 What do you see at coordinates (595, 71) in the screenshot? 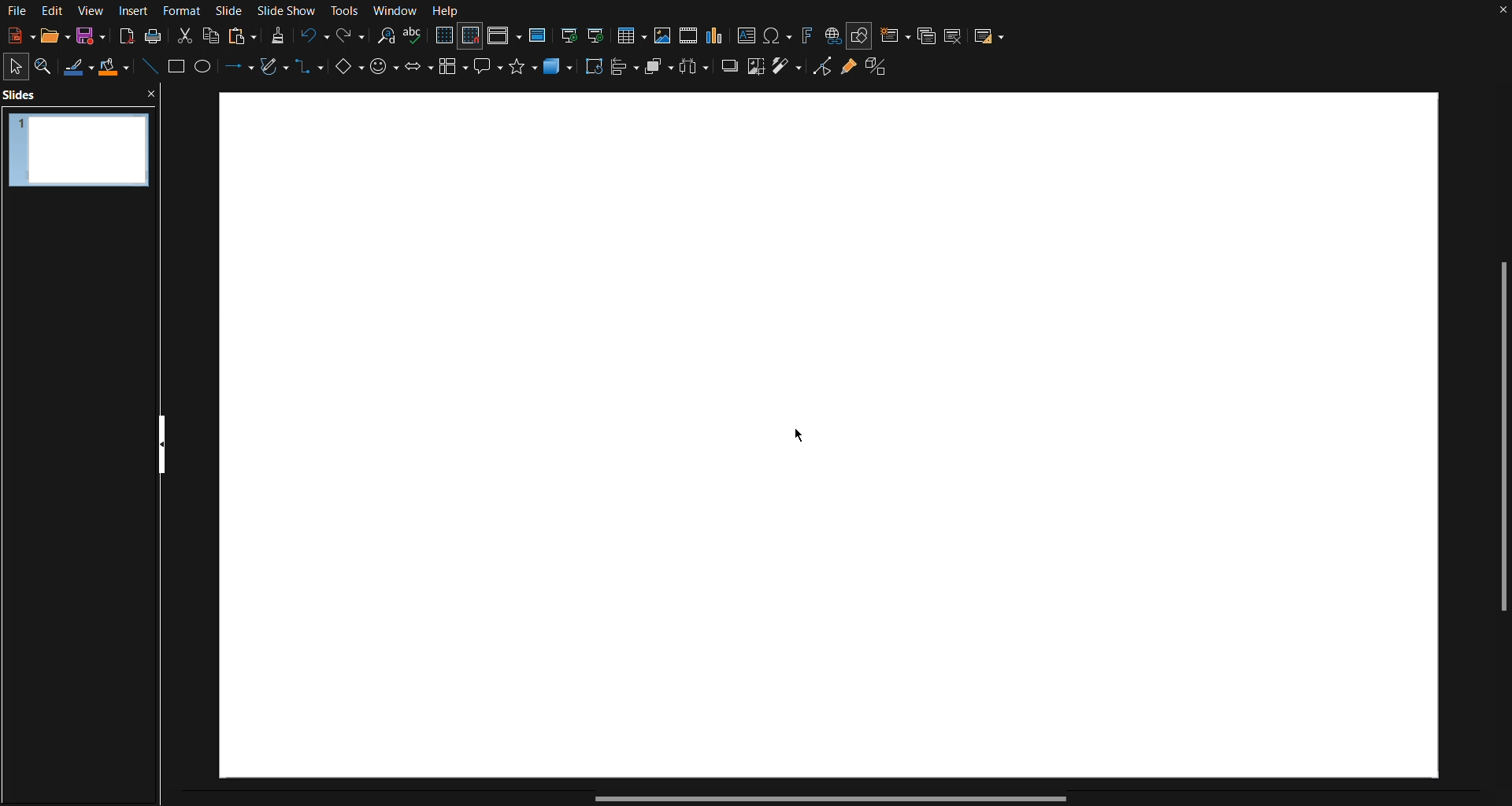
I see `Transformation` at bounding box center [595, 71].